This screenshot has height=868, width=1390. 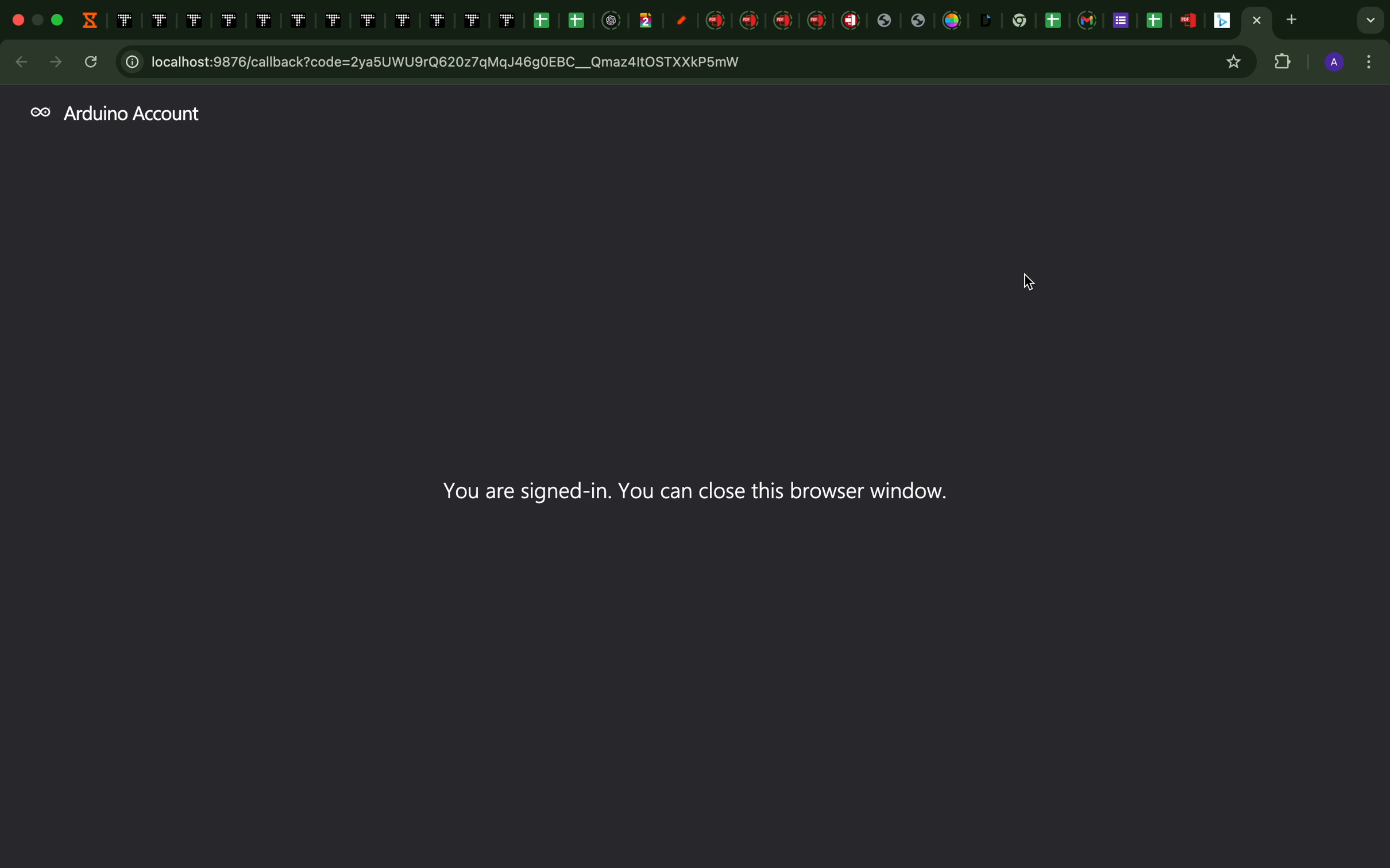 I want to click on notification, so click(x=1341, y=858).